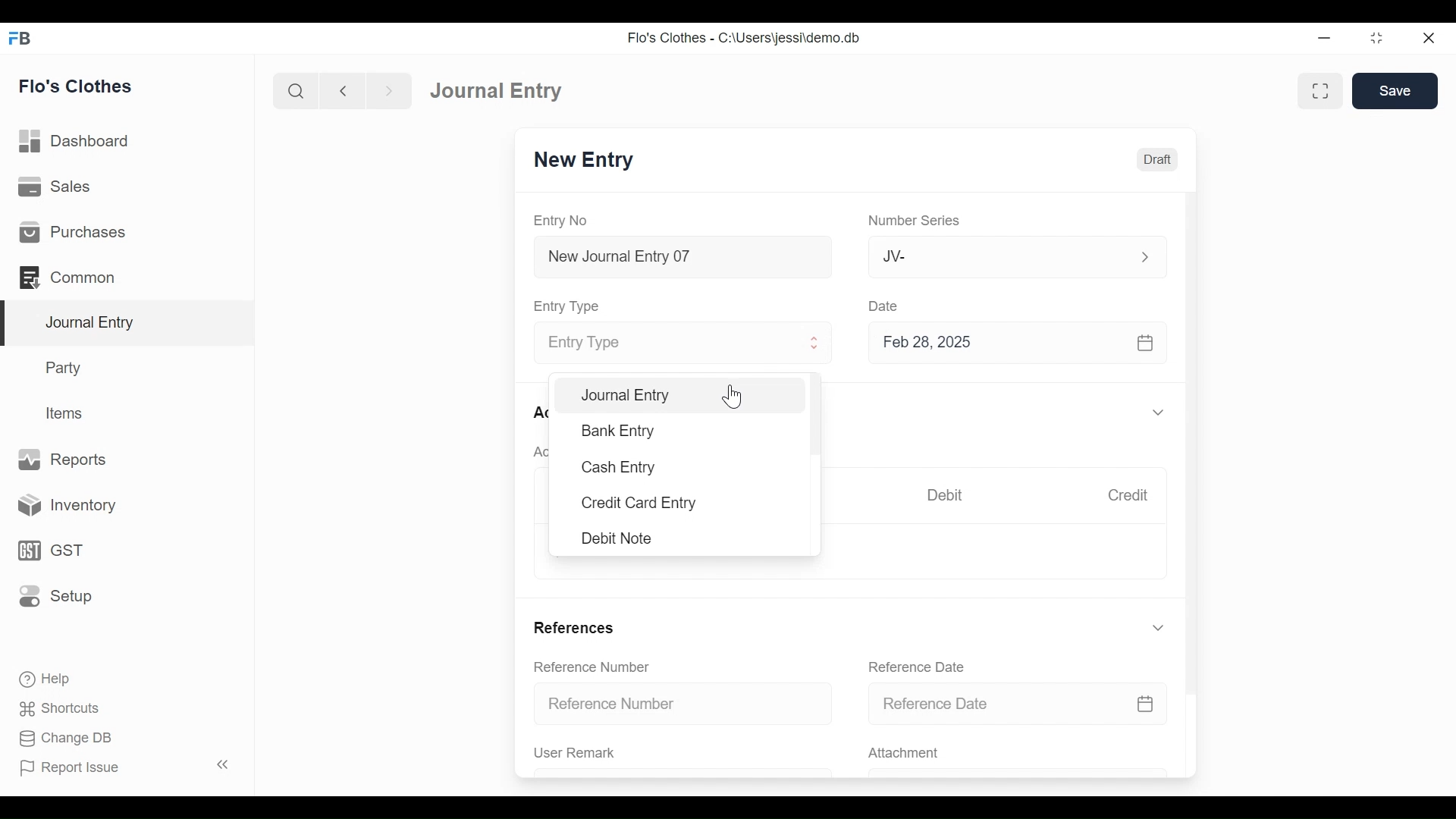 Image resolution: width=1456 pixels, height=819 pixels. I want to click on Entry Type, so click(670, 344).